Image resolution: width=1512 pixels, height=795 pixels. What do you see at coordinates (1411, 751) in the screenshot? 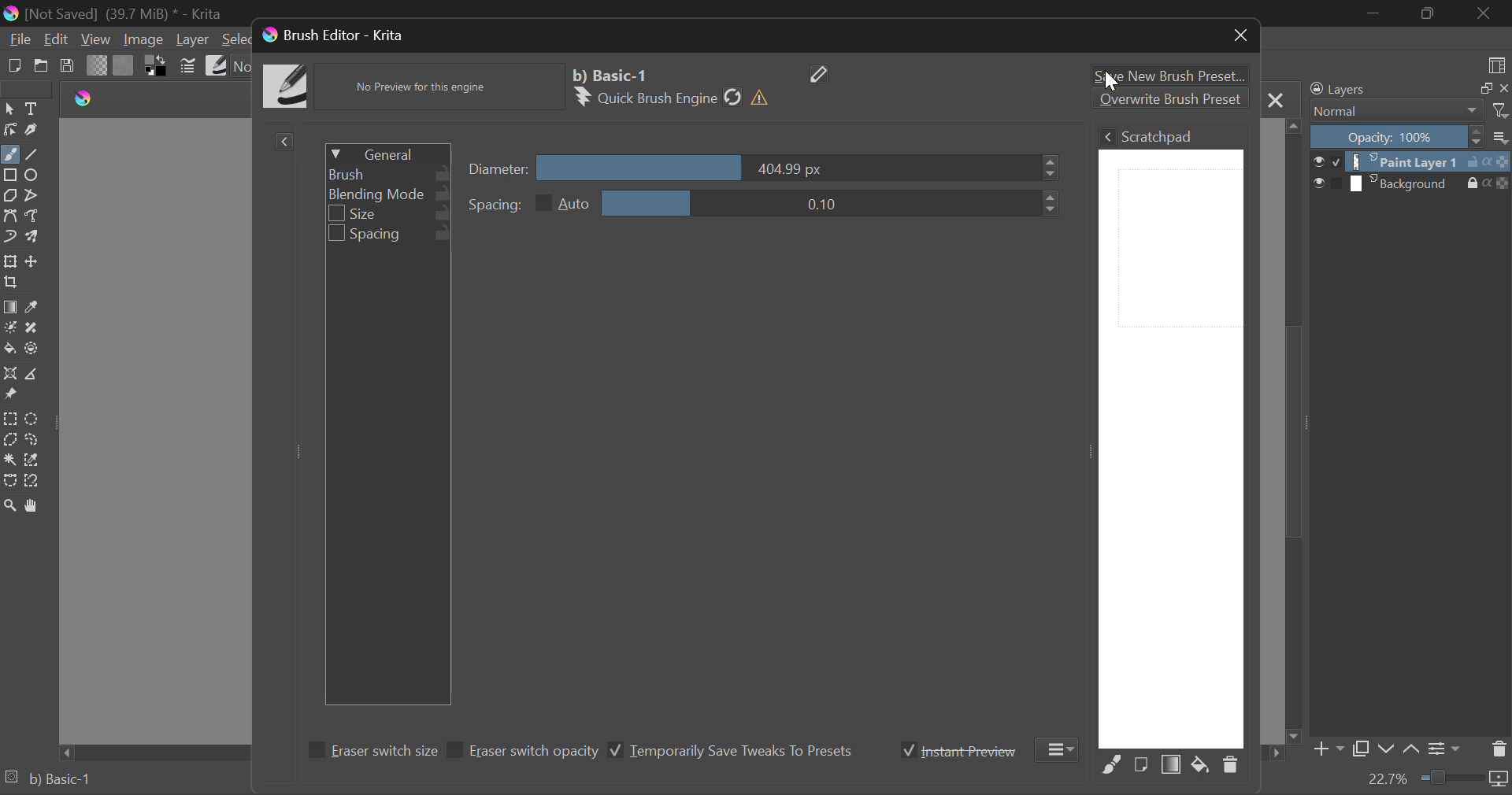
I see `Move Layer Up` at bounding box center [1411, 751].